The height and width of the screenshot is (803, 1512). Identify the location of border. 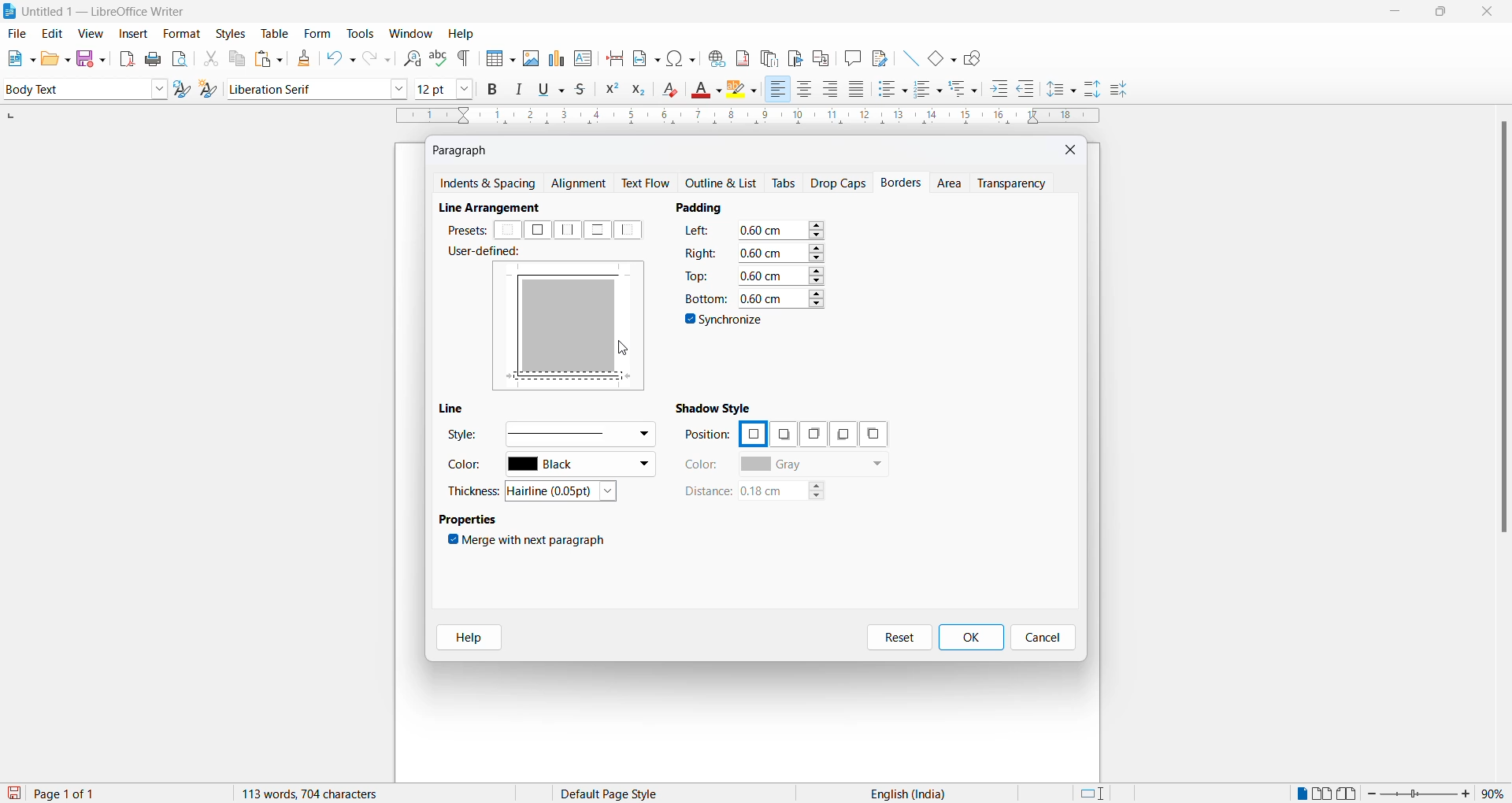
(574, 272).